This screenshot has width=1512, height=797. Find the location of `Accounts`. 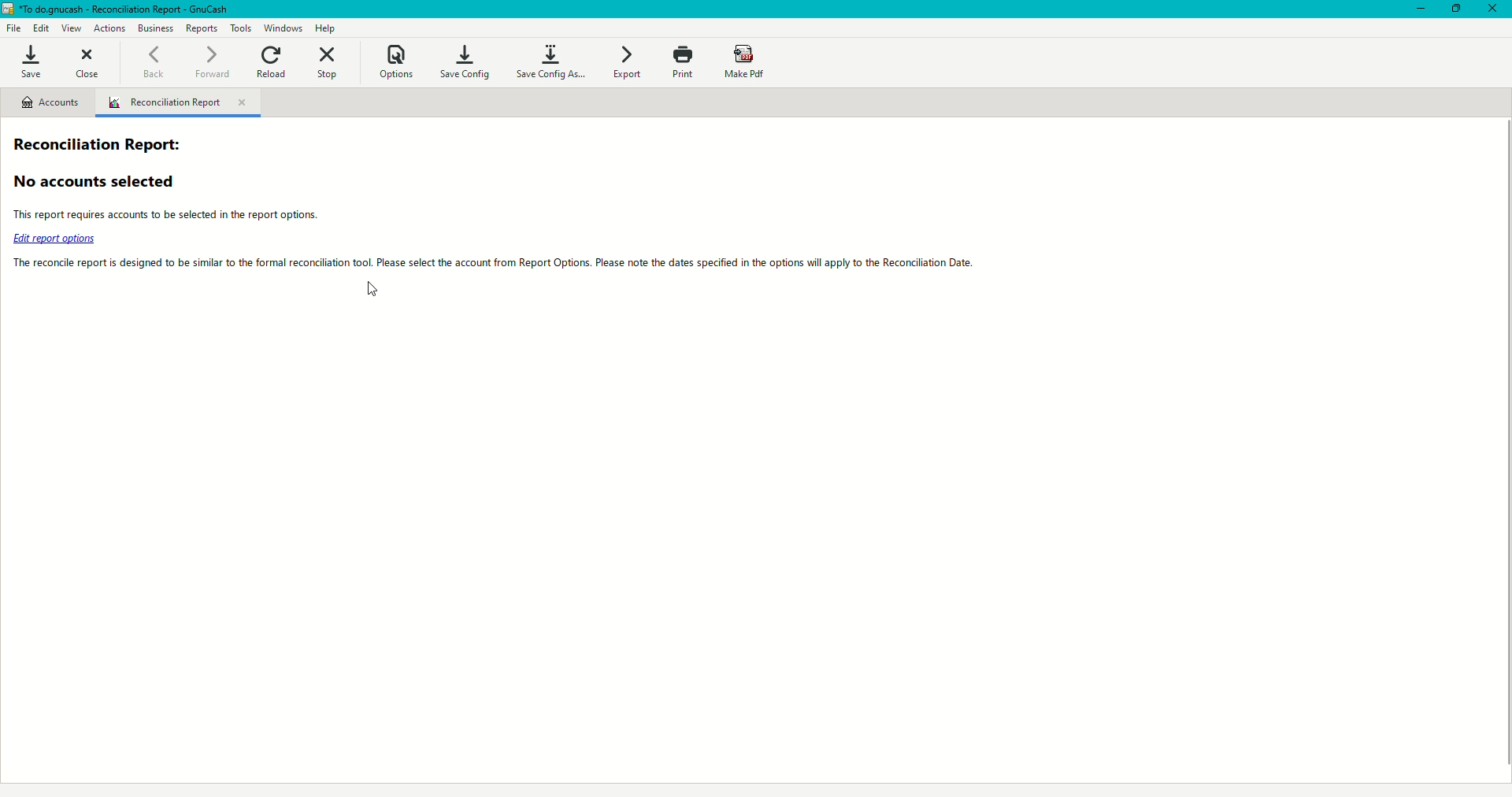

Accounts is located at coordinates (47, 103).